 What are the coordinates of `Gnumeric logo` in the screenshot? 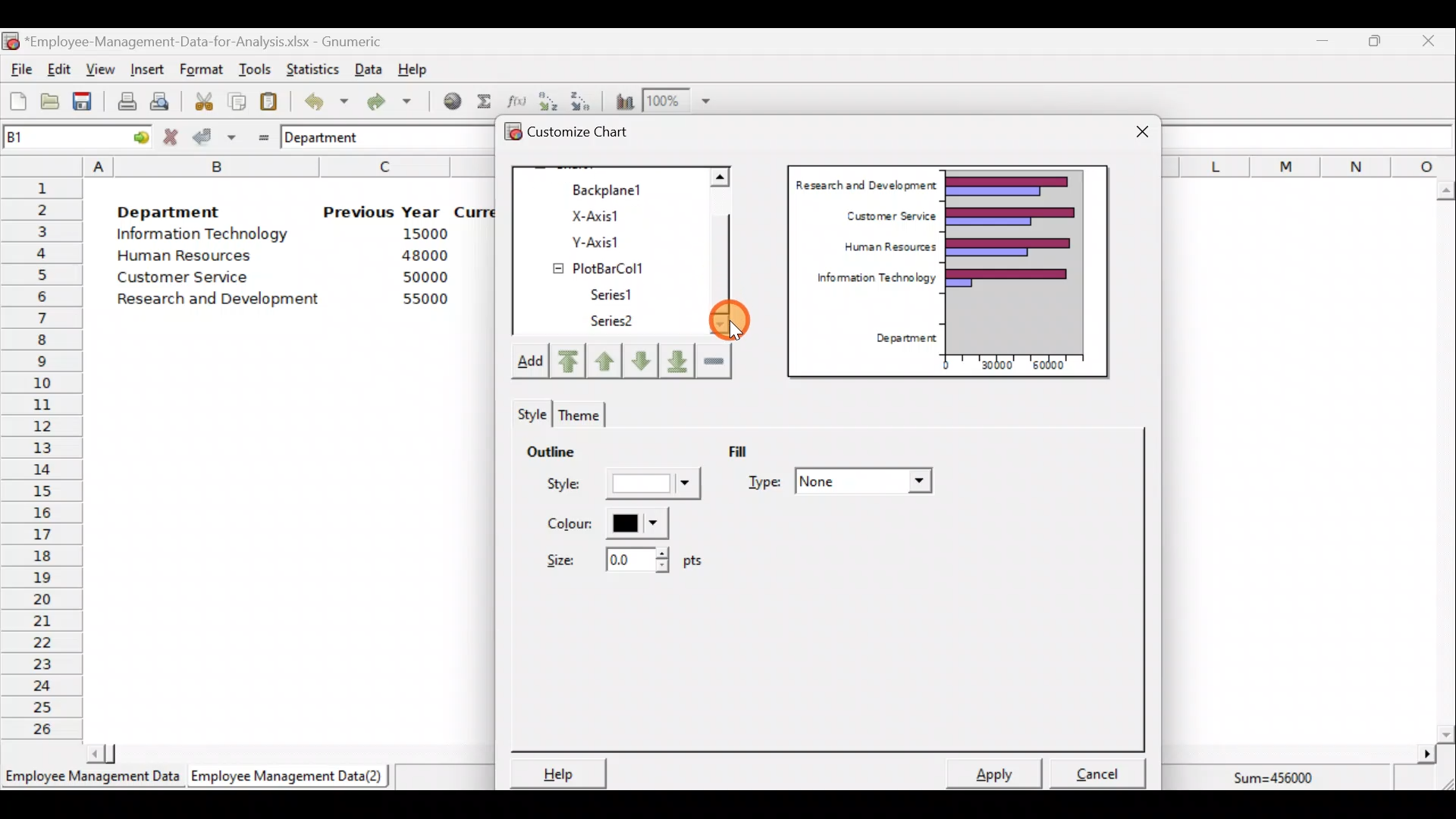 It's located at (11, 42).